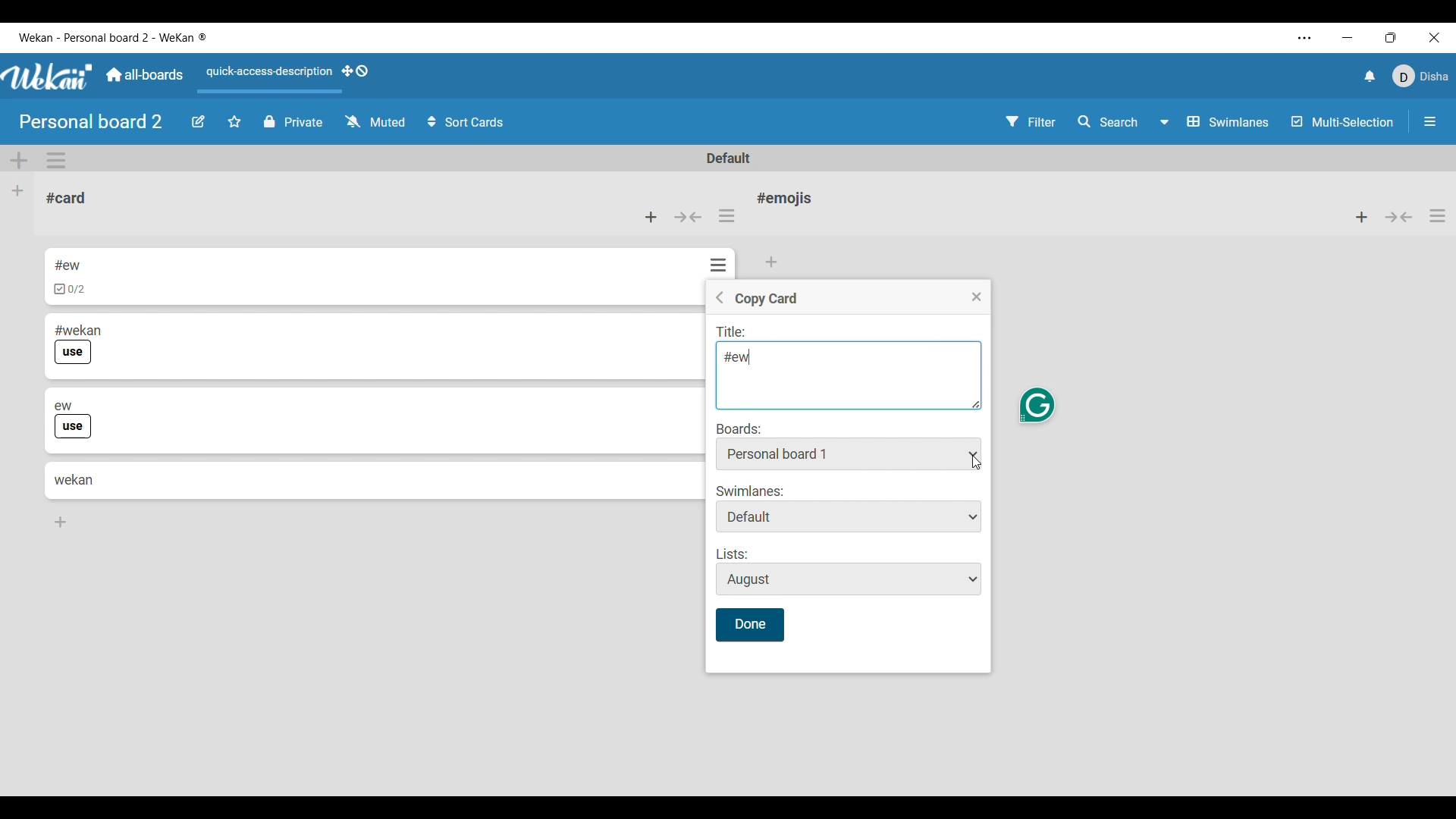 The image size is (1456, 819). What do you see at coordinates (1430, 121) in the screenshot?
I see `Open/Close sidebar` at bounding box center [1430, 121].